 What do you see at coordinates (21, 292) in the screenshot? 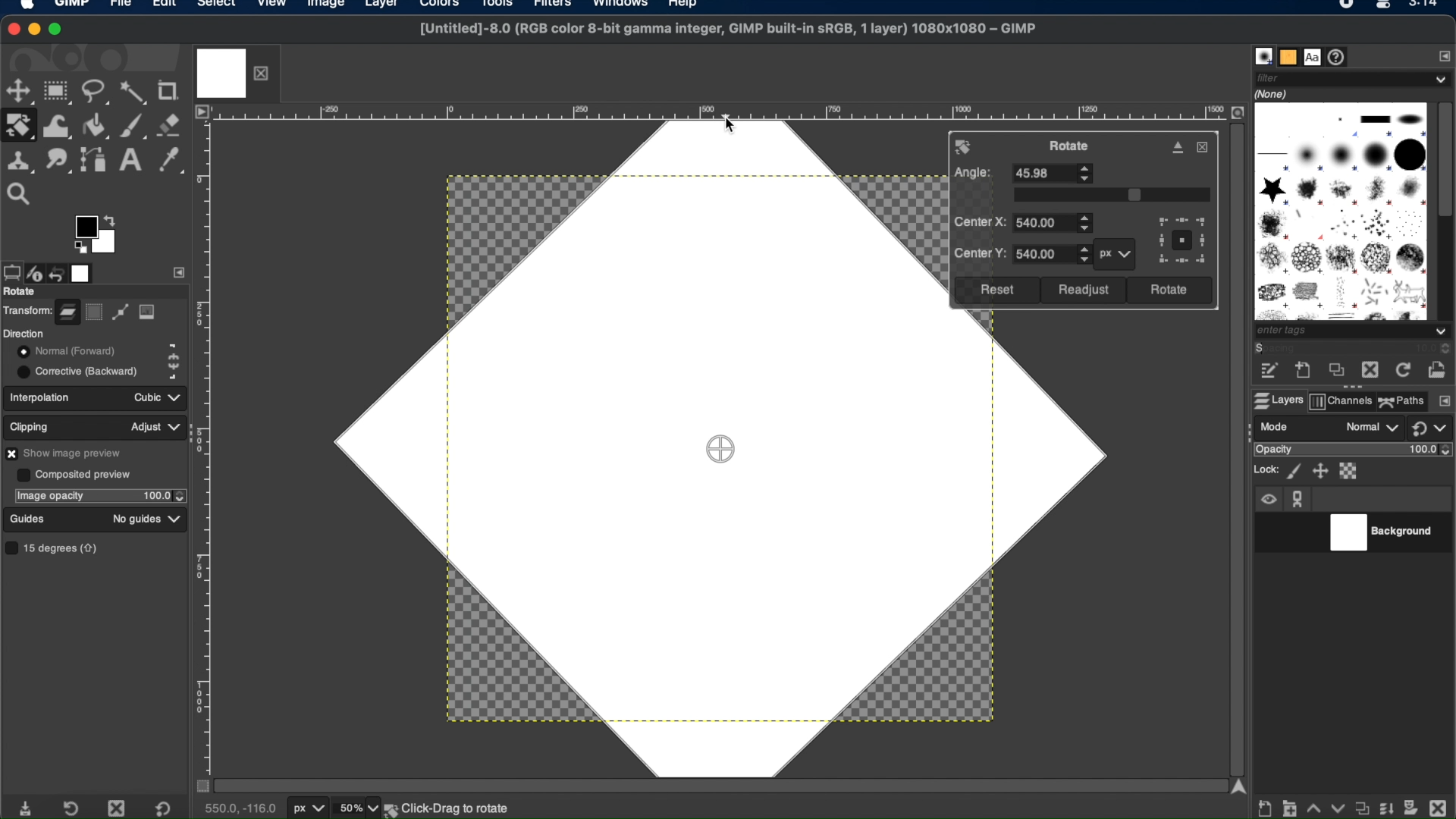
I see `rotate` at bounding box center [21, 292].